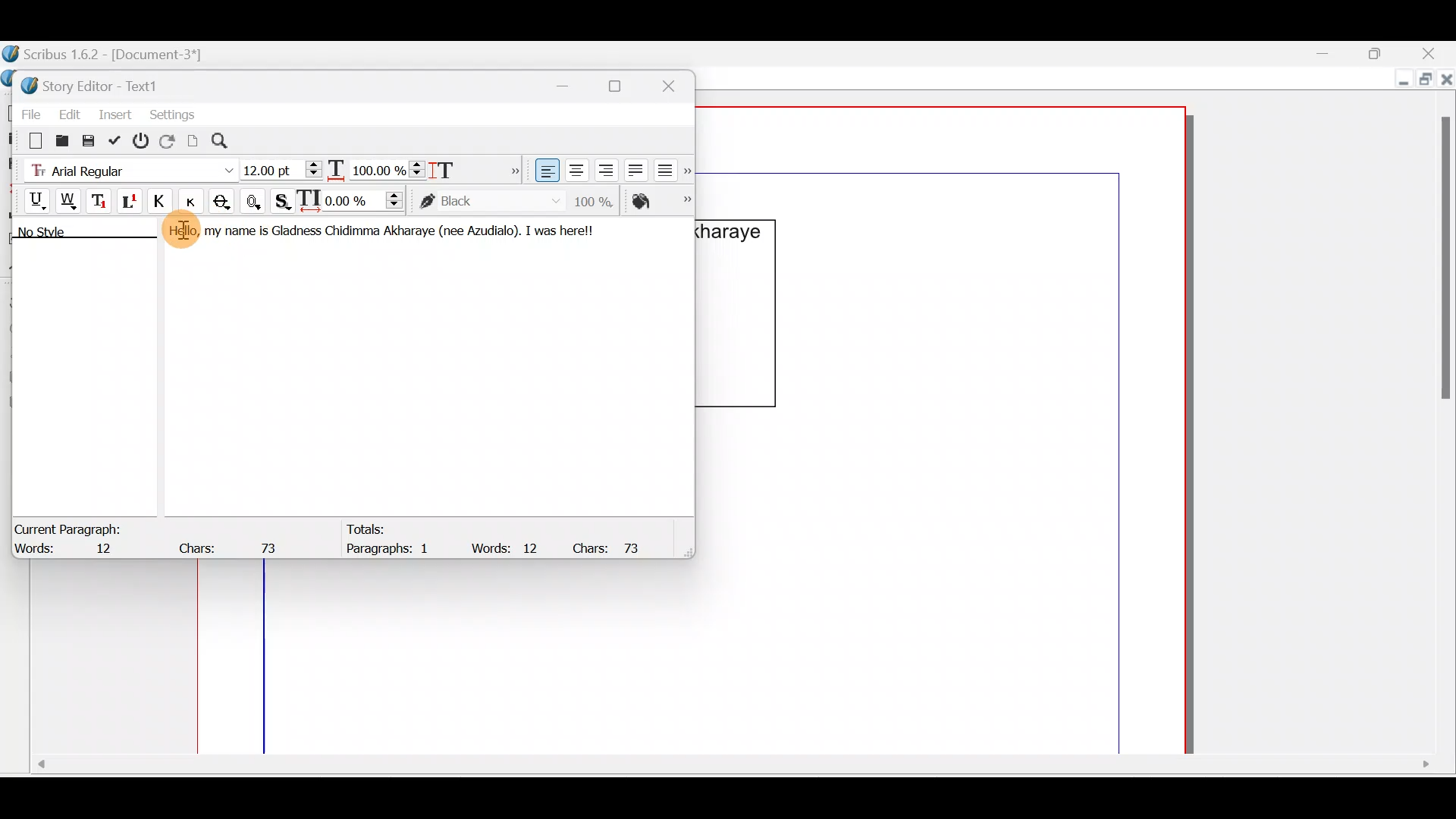  I want to click on Cursor, so click(184, 240).